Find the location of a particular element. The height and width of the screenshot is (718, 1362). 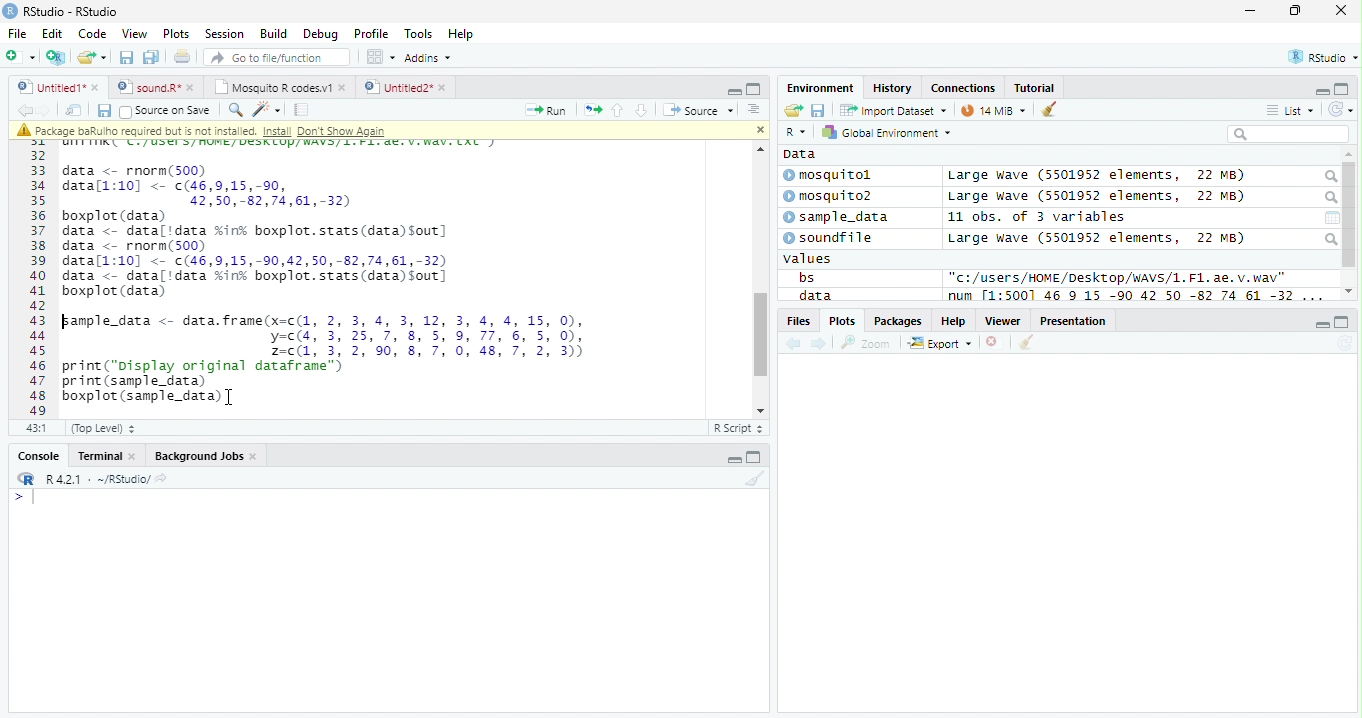

clear workspace is located at coordinates (753, 479).